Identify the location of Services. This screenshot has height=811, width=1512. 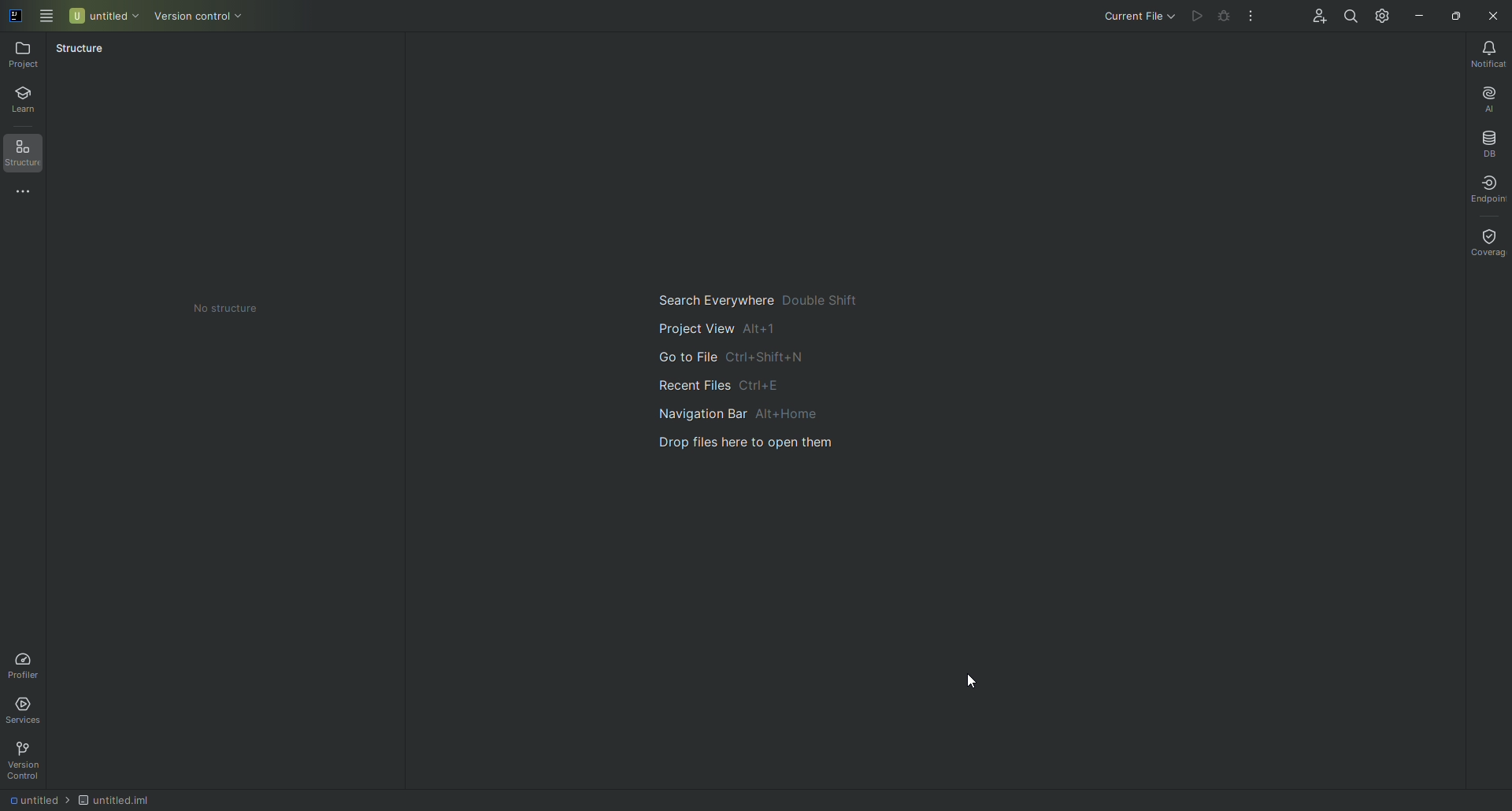
(32, 707).